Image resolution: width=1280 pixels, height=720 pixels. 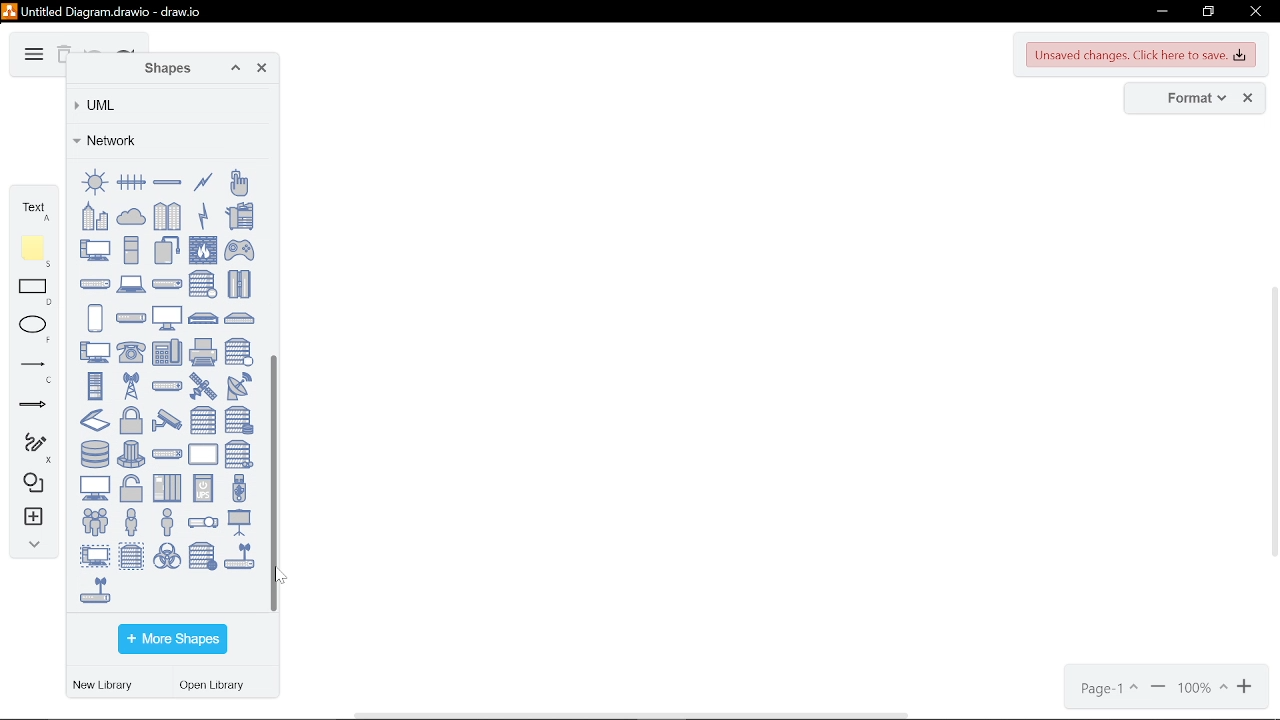 I want to click on horizontal scroll bar, so click(x=634, y=714).